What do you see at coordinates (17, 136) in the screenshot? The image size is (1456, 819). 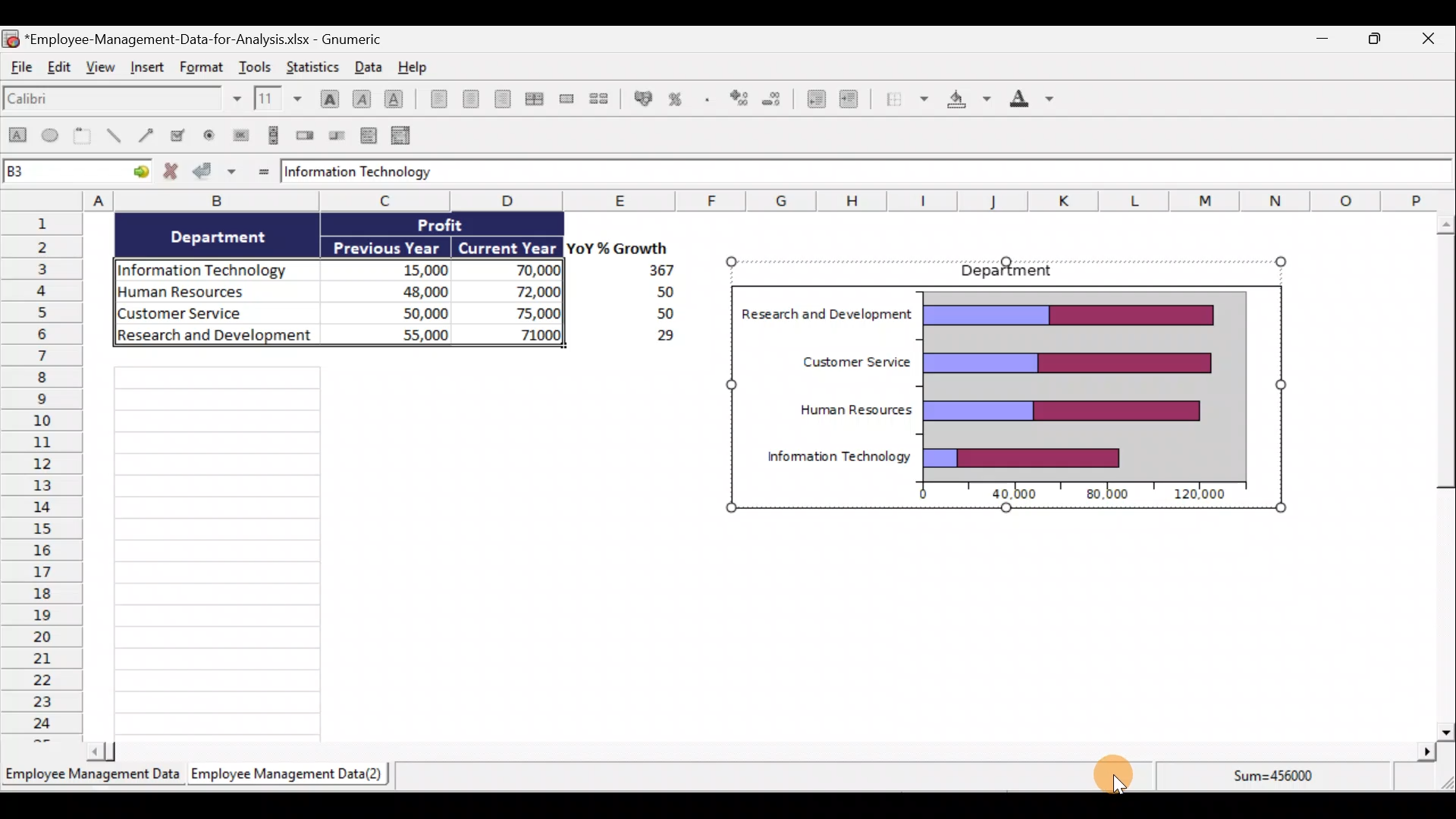 I see `Create a rectangle object` at bounding box center [17, 136].